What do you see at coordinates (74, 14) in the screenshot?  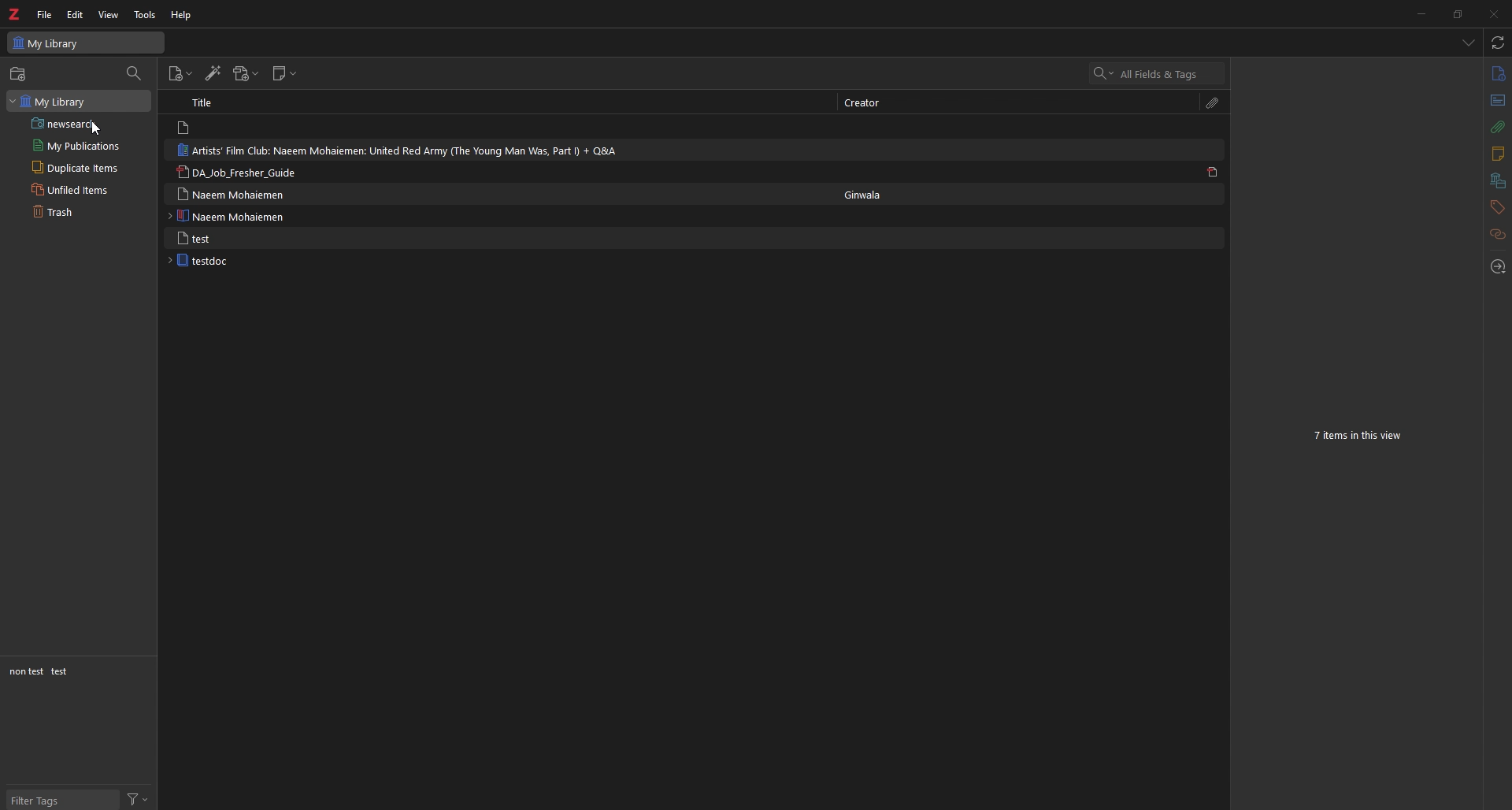 I see `Edit` at bounding box center [74, 14].